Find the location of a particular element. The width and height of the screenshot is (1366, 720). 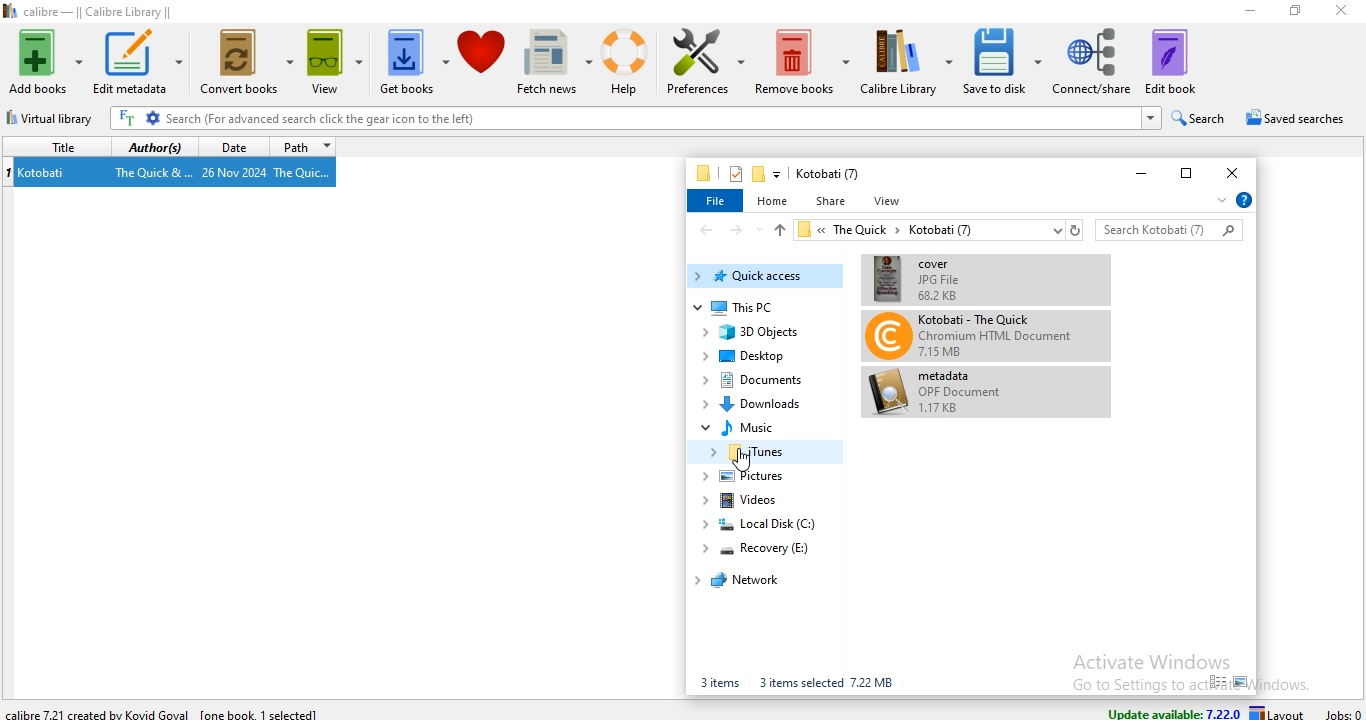

search bar is located at coordinates (1169, 228).